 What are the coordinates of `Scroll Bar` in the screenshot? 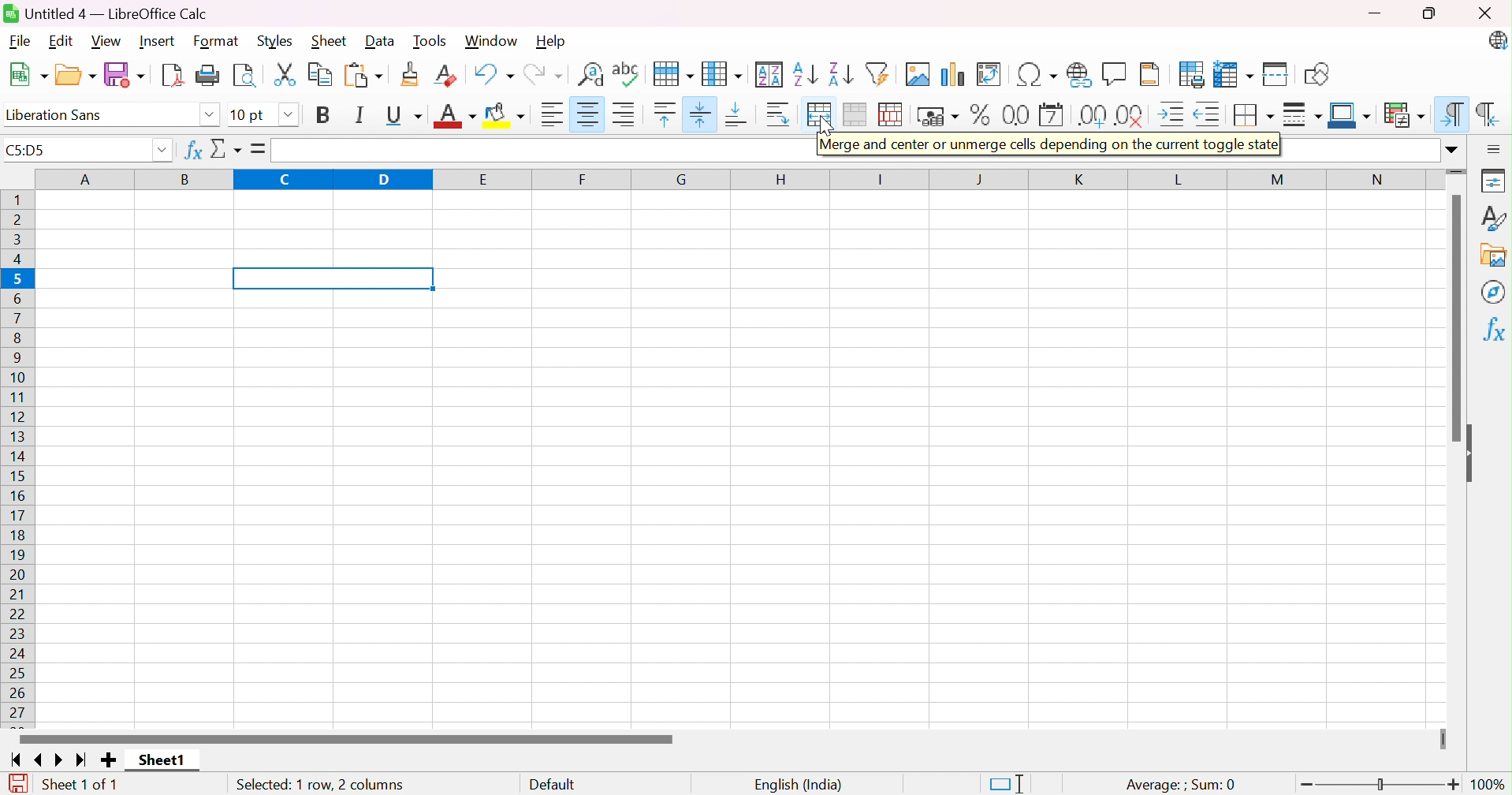 It's located at (346, 738).